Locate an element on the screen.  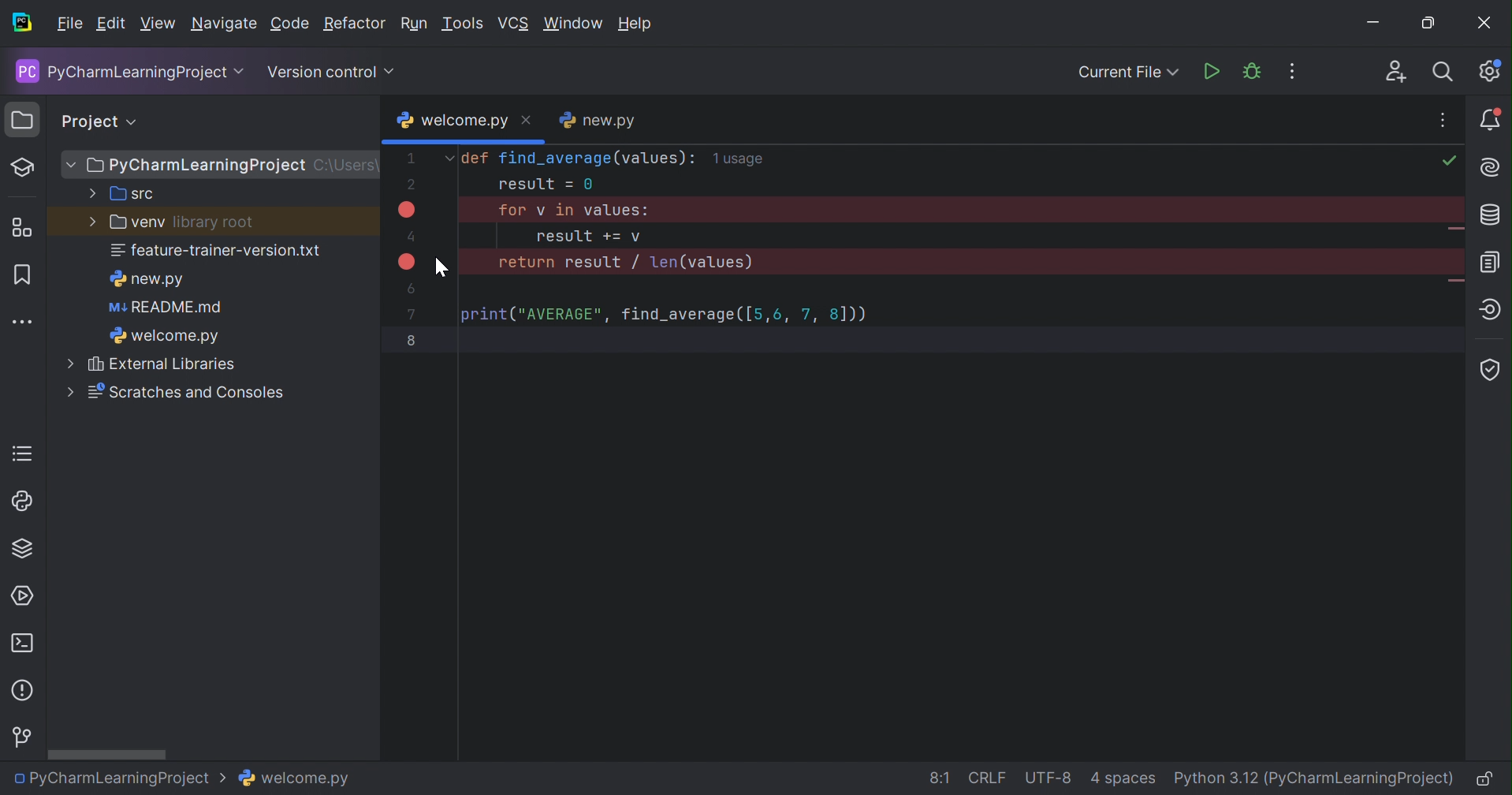
8 is located at coordinates (415, 341).